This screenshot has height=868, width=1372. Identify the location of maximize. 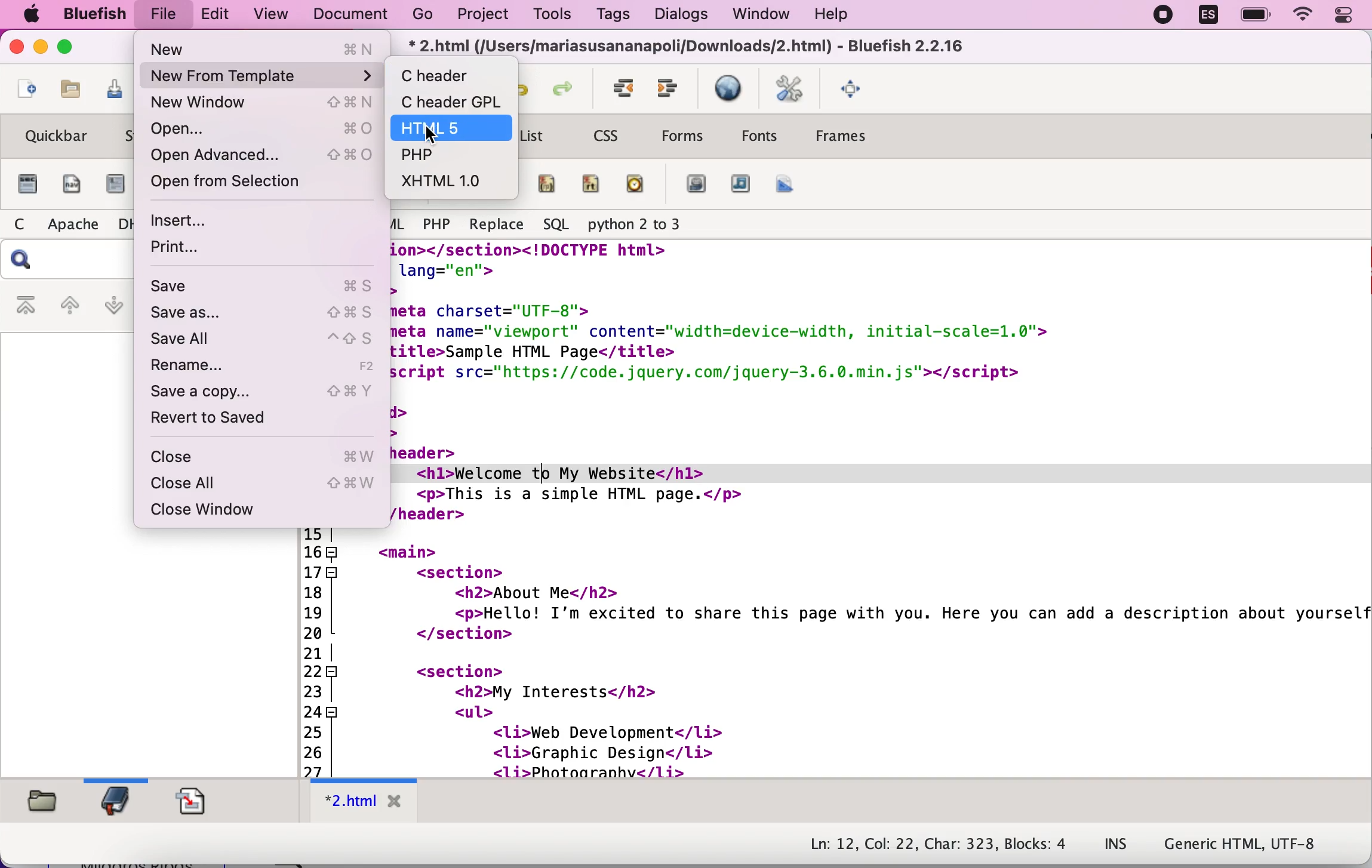
(70, 48).